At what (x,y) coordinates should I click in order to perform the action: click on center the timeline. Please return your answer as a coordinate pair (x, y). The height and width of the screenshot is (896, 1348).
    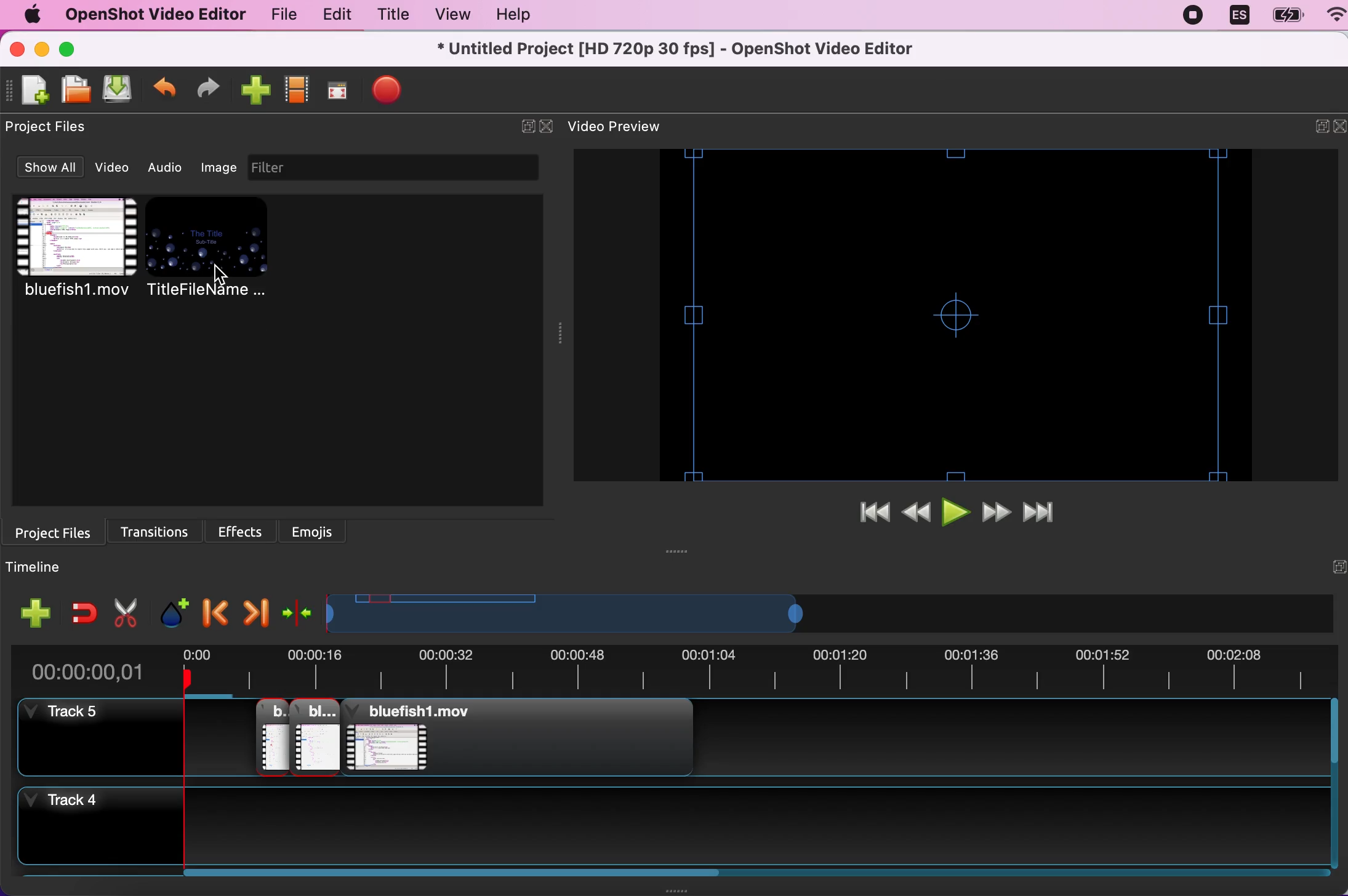
    Looking at the image, I should click on (299, 611).